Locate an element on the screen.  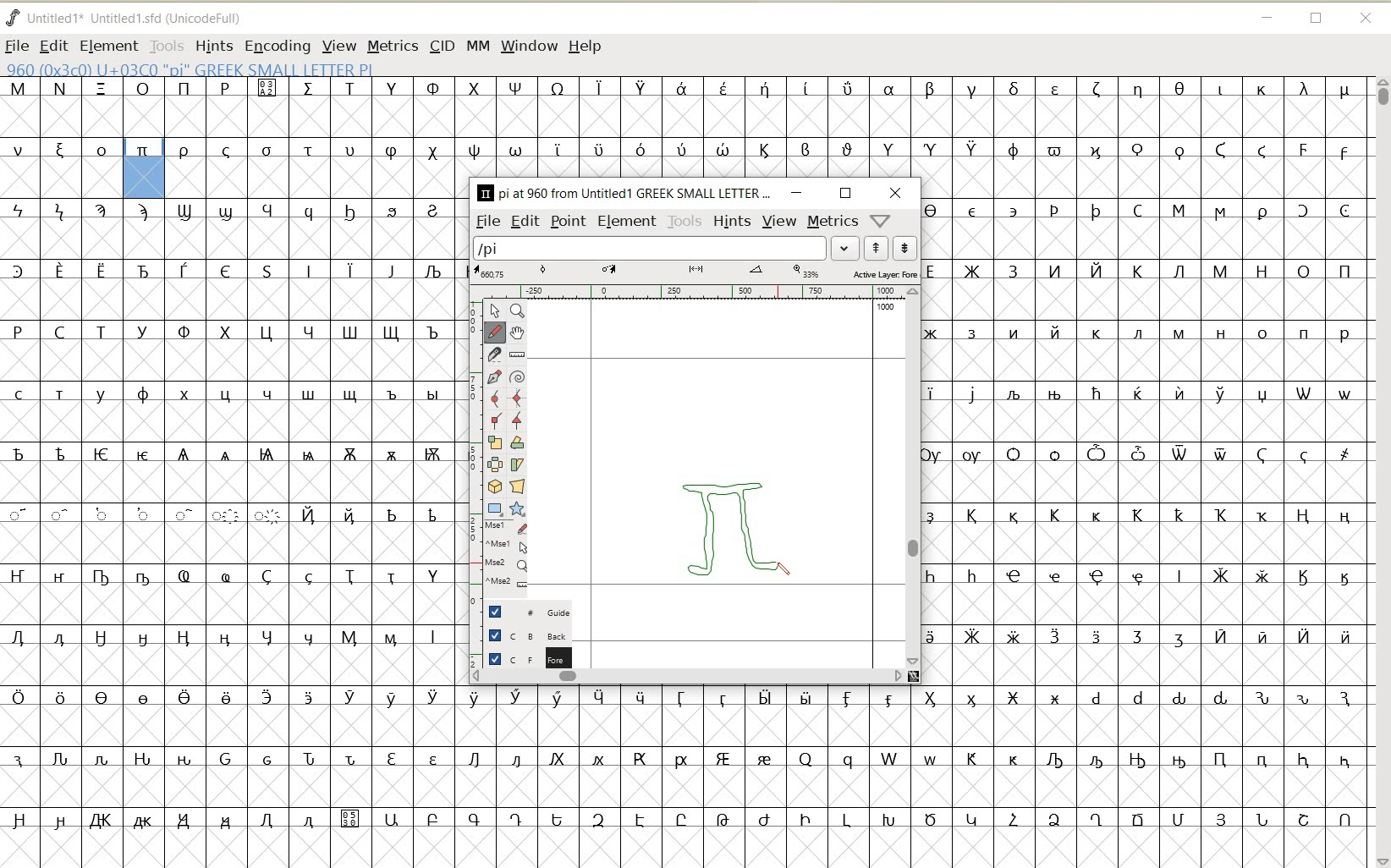
MINIMIZE is located at coordinates (795, 194).